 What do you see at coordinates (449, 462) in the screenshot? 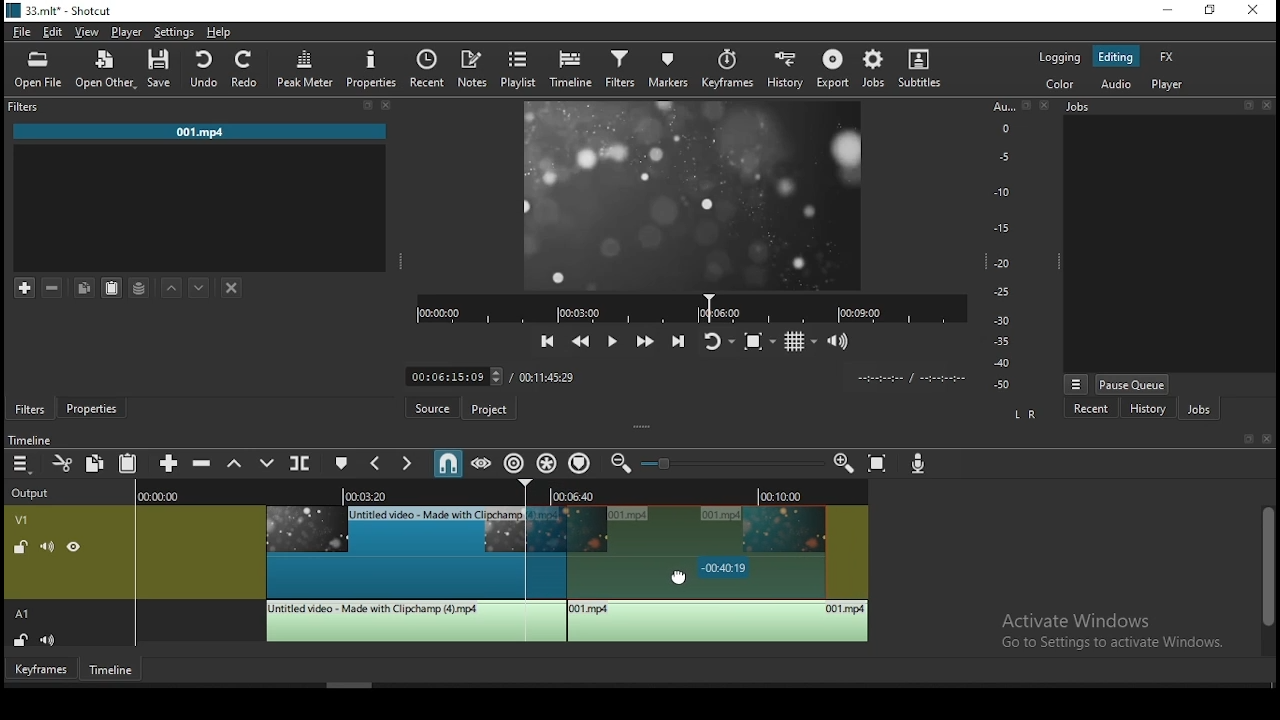
I see `snap` at bounding box center [449, 462].